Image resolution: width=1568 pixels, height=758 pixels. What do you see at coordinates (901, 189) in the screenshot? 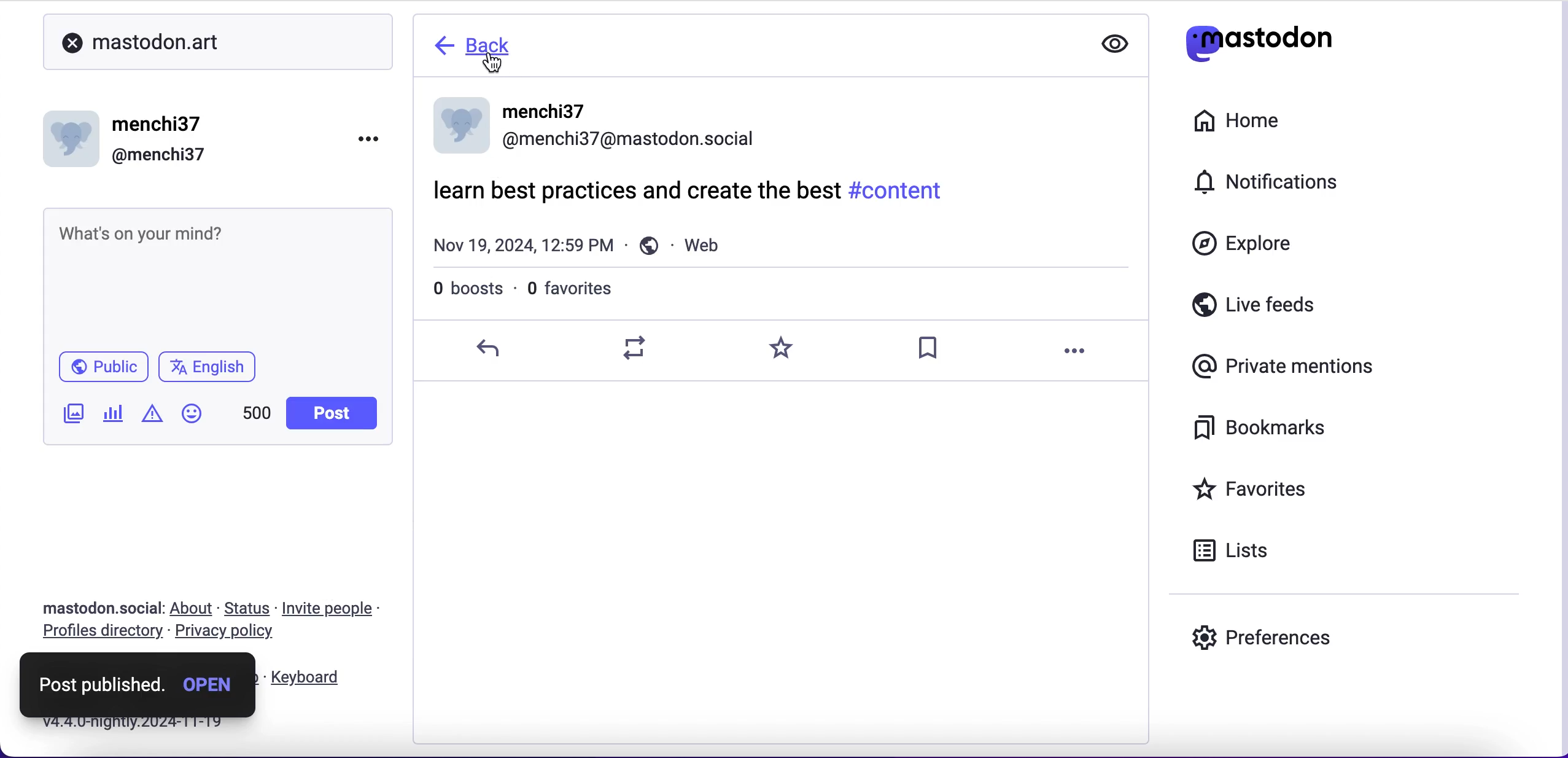
I see `#content` at bounding box center [901, 189].